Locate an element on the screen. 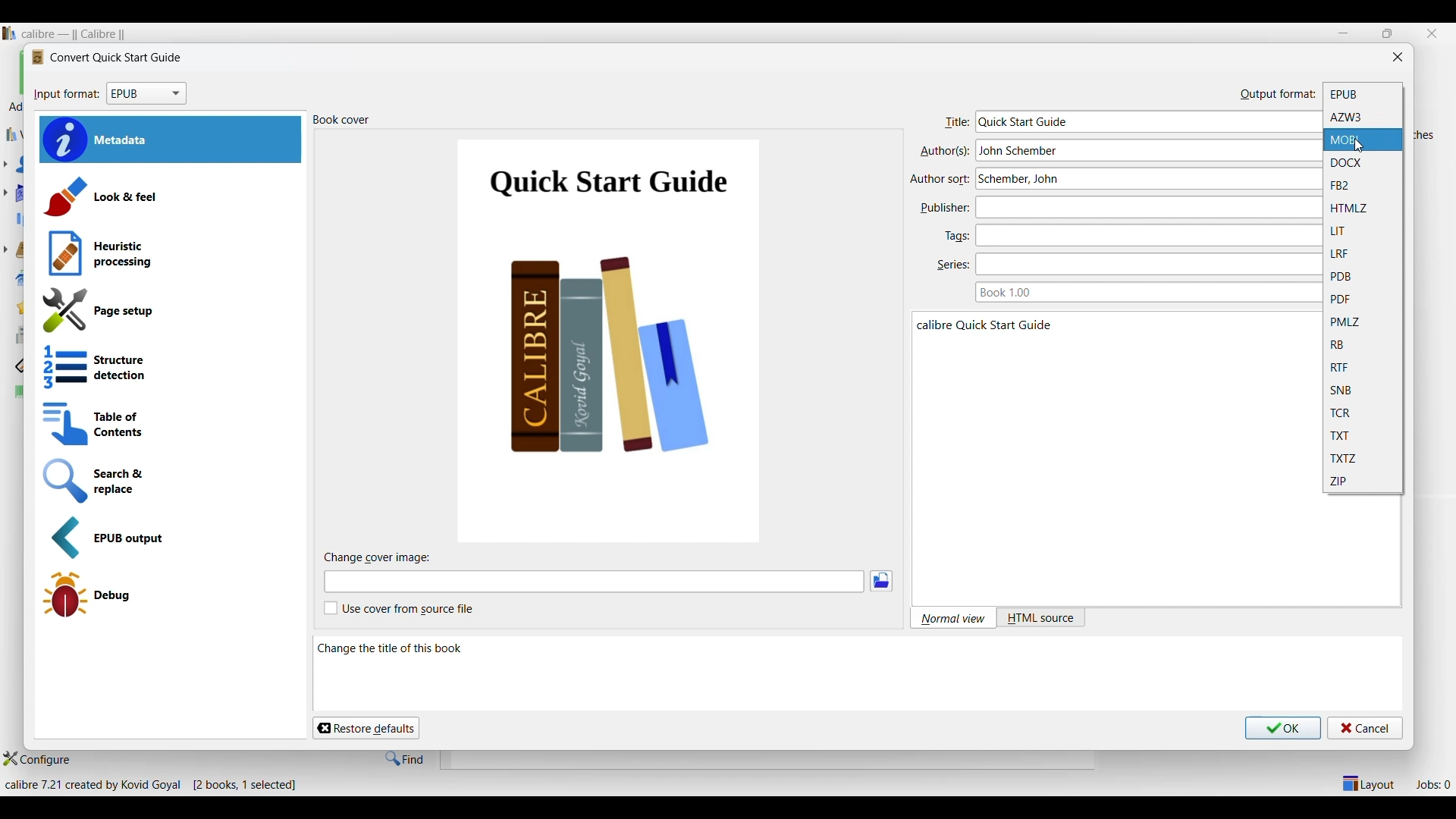  Type in publisher is located at coordinates (1142, 207).